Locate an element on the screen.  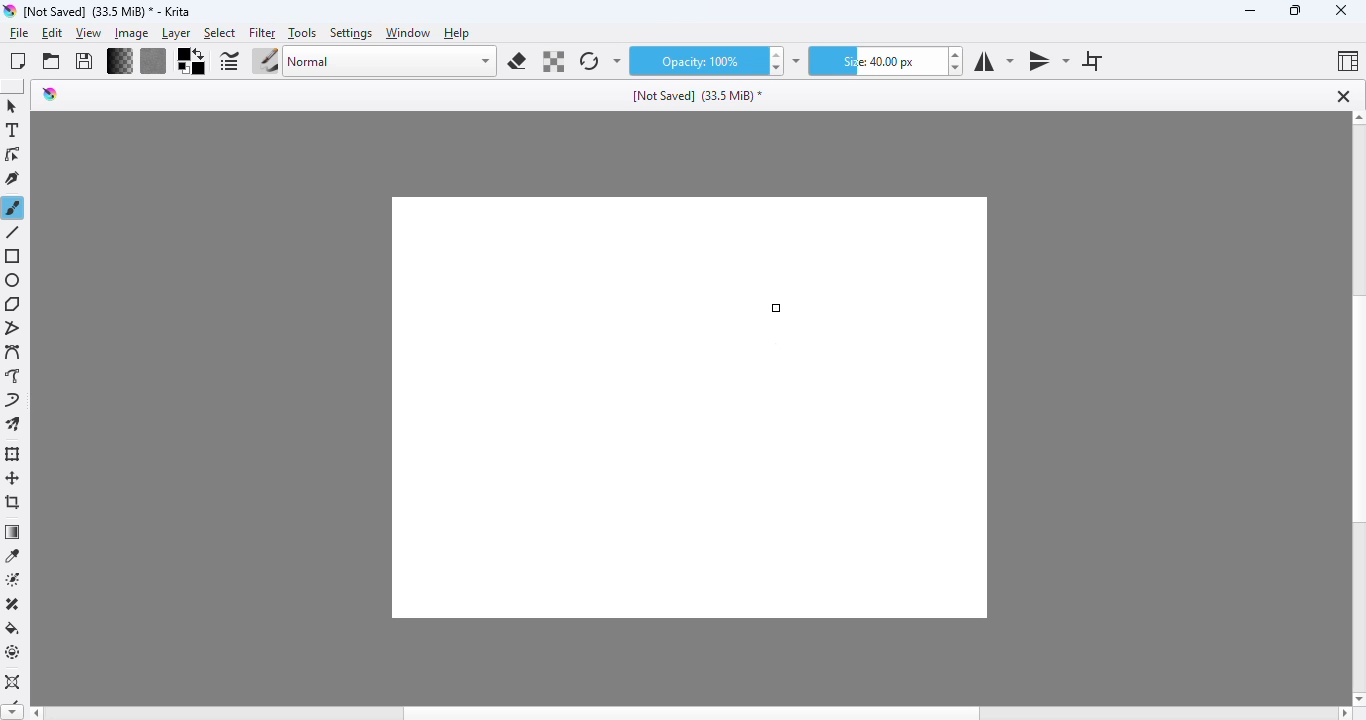
enclose and fill tool is located at coordinates (13, 653).